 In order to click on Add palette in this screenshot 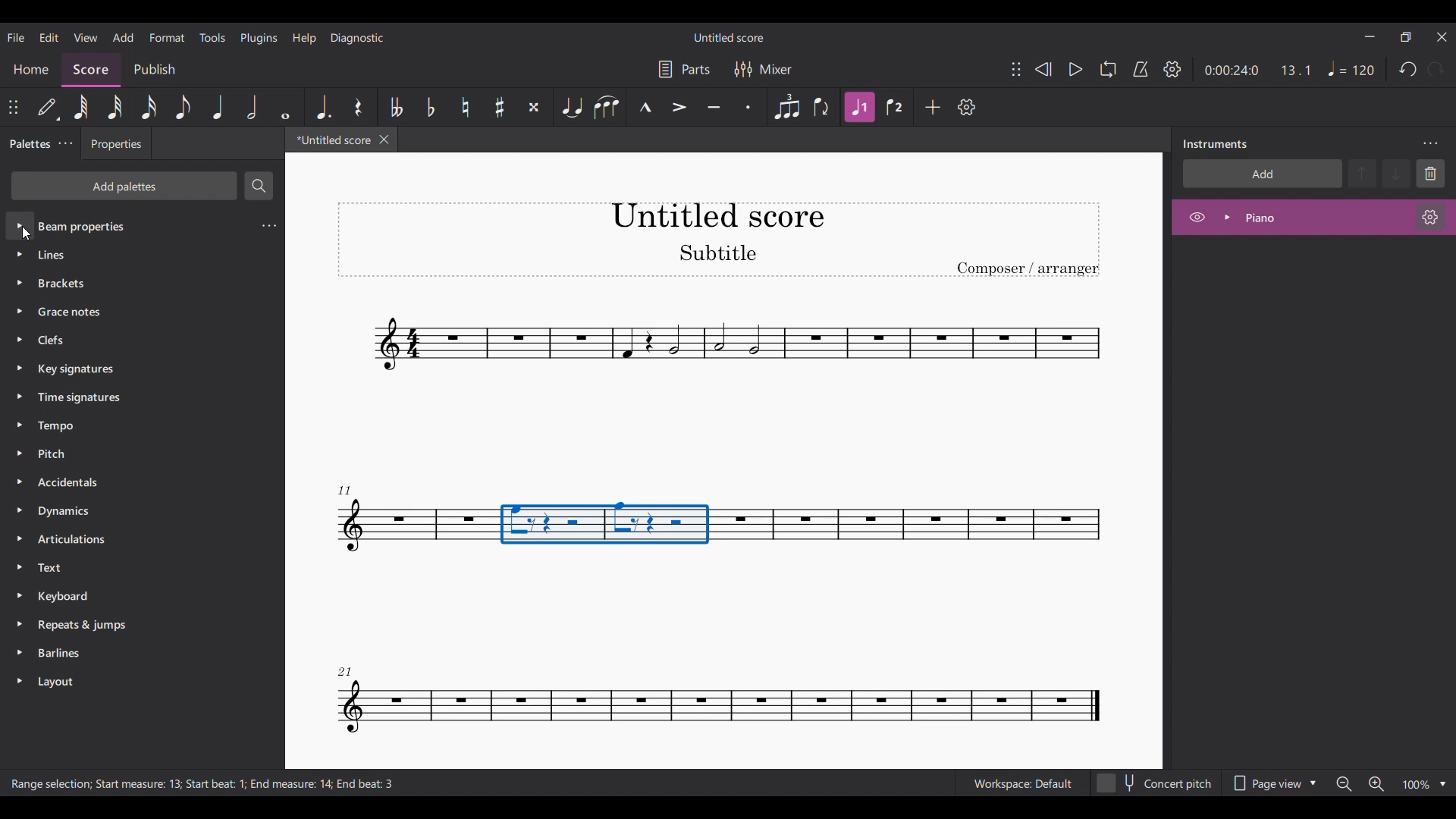, I will do `click(124, 186)`.